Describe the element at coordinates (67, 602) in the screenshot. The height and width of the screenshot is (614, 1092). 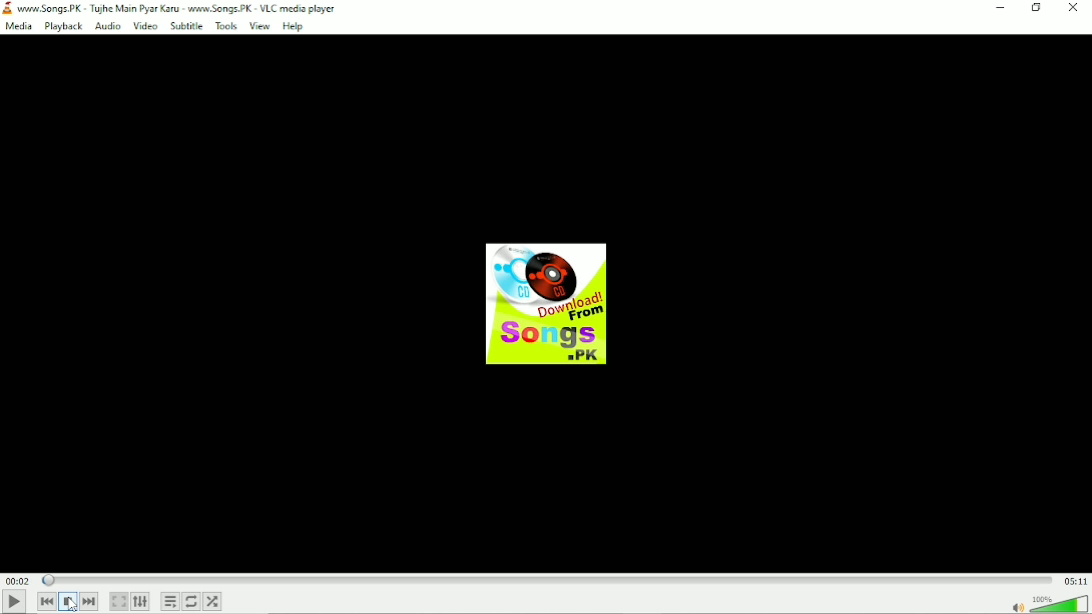
I see `Stop playback` at that location.